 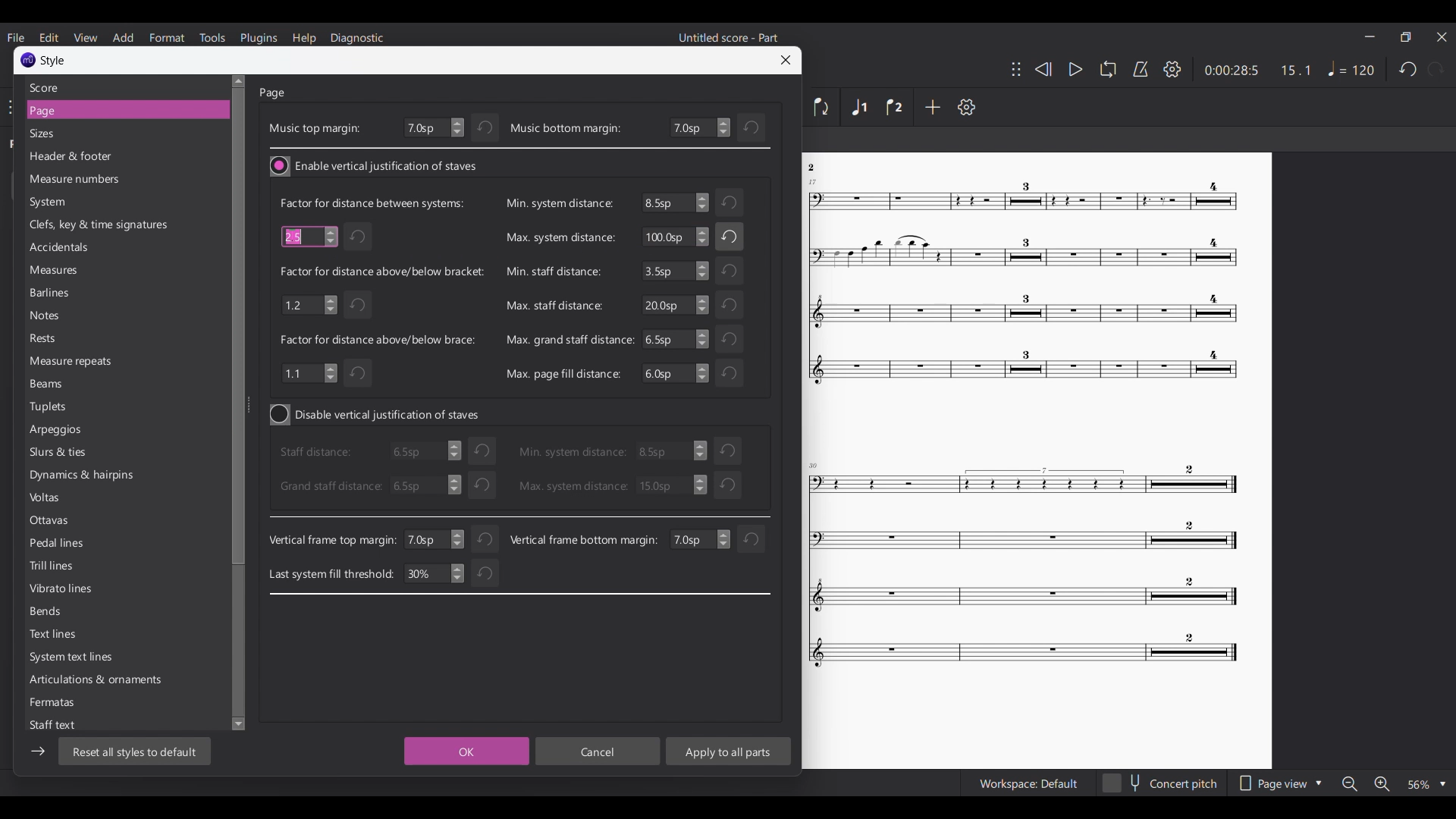 I want to click on Volts, so click(x=79, y=500).